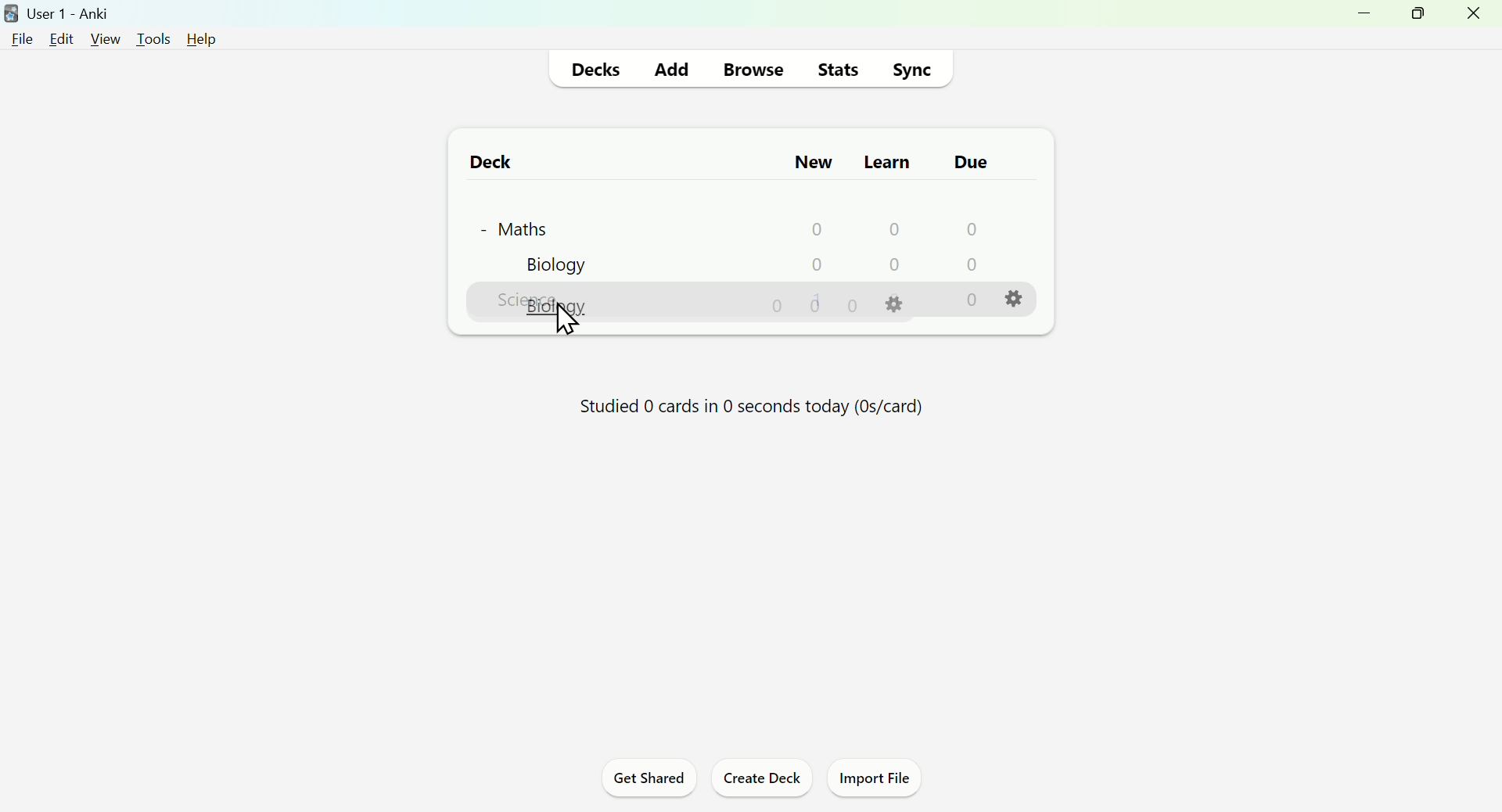 The image size is (1502, 812). I want to click on 0, so click(893, 228).